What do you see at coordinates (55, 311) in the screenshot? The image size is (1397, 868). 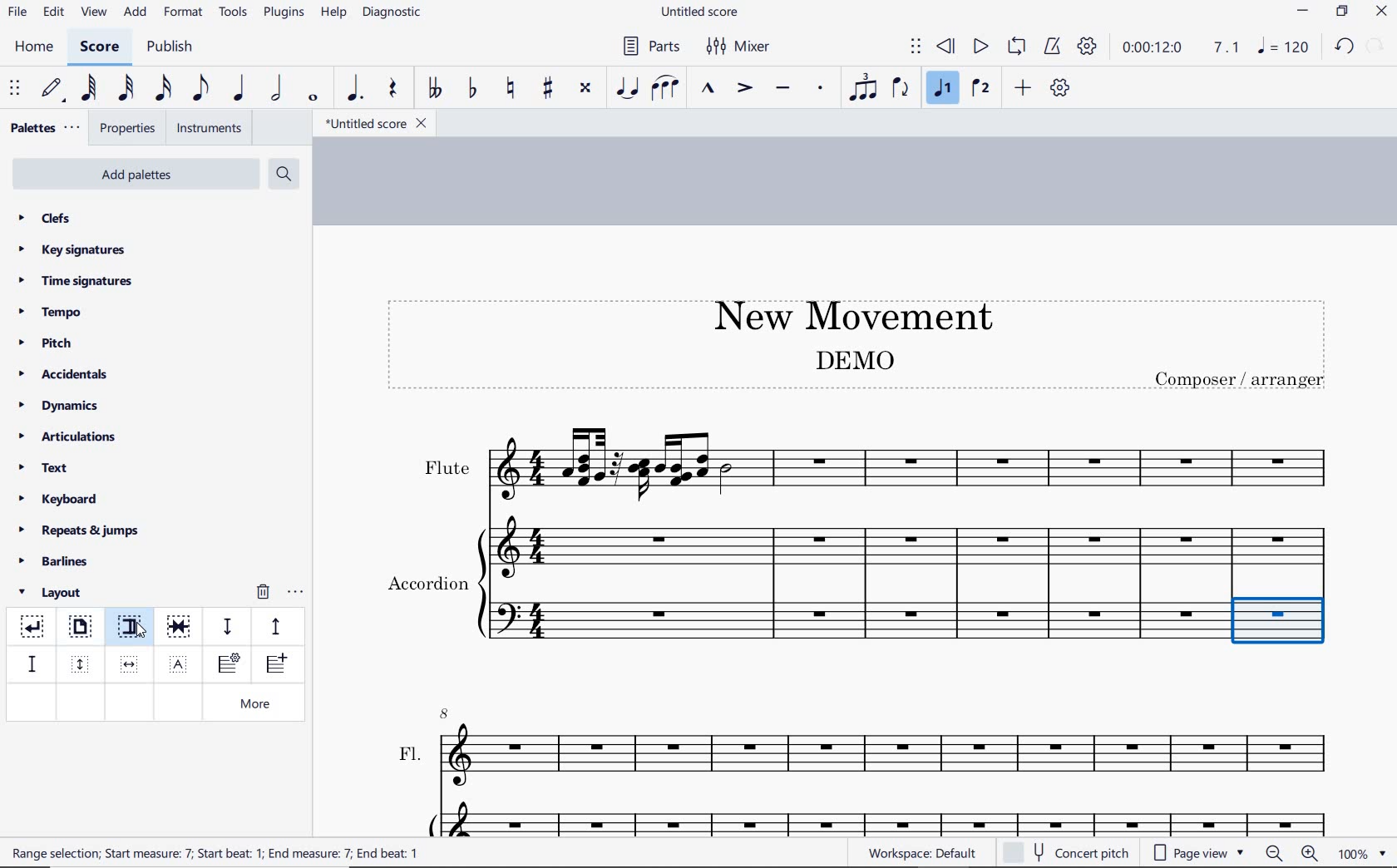 I see `tempo` at bounding box center [55, 311].